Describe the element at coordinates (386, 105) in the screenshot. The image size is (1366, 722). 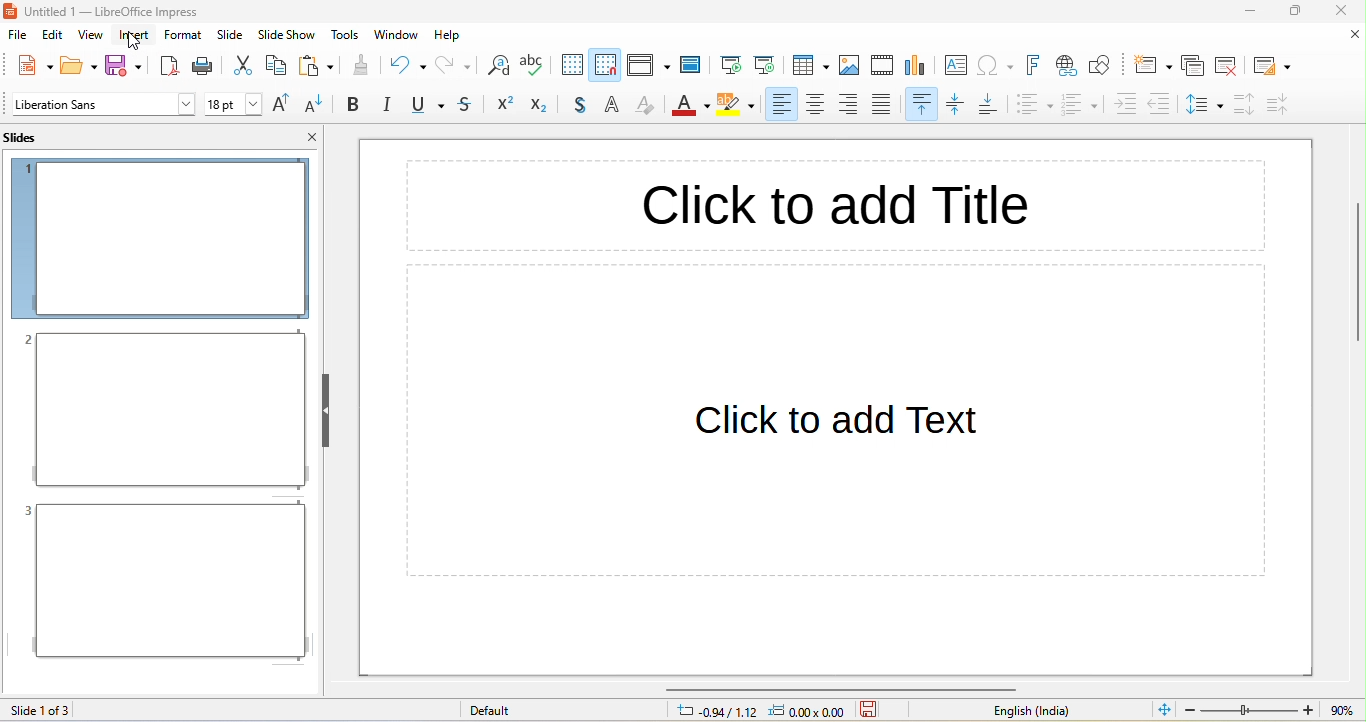
I see `italic` at that location.